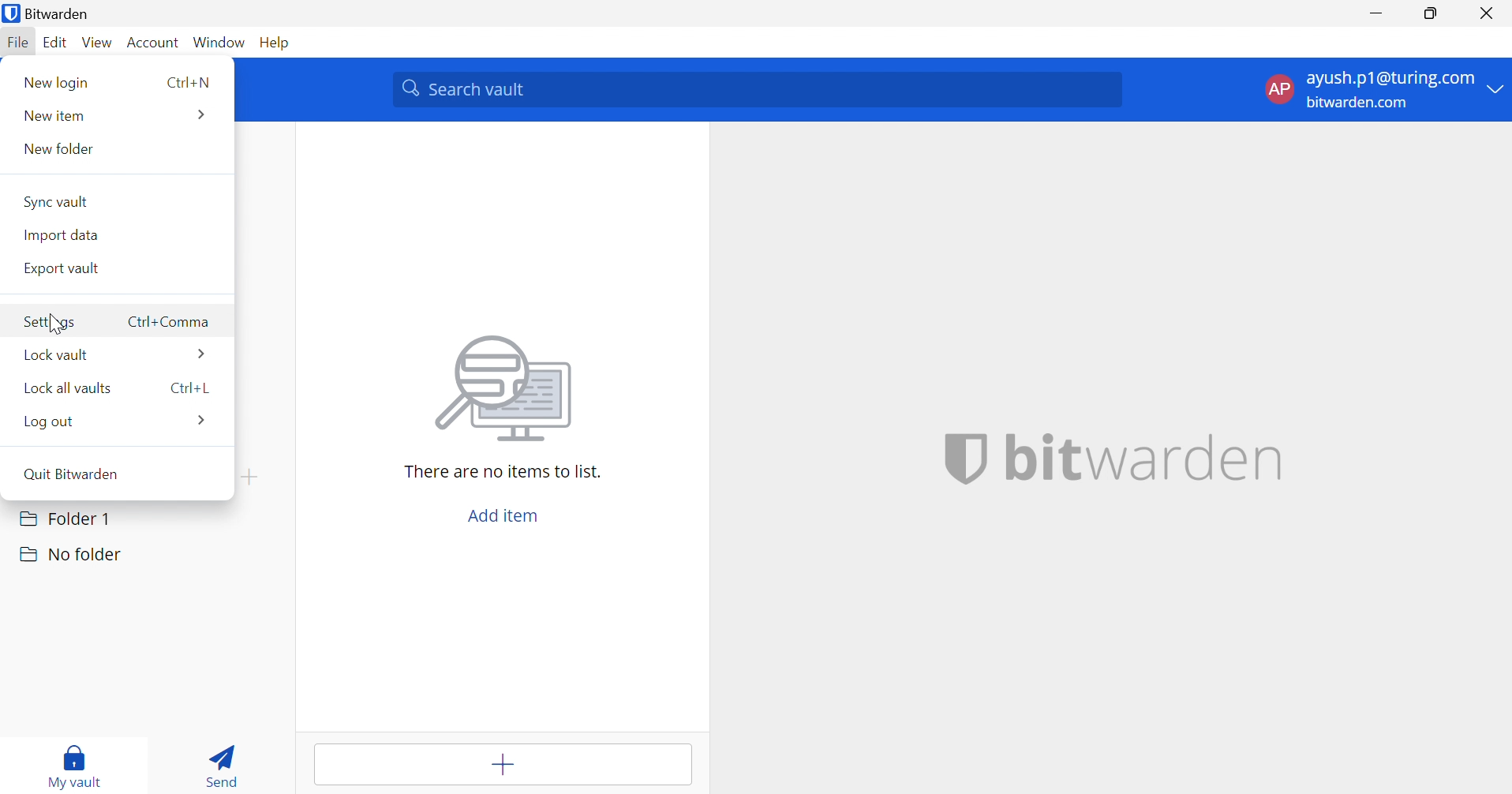 Image resolution: width=1512 pixels, height=794 pixels. Describe the element at coordinates (503, 472) in the screenshot. I see `There are no items to list.` at that location.